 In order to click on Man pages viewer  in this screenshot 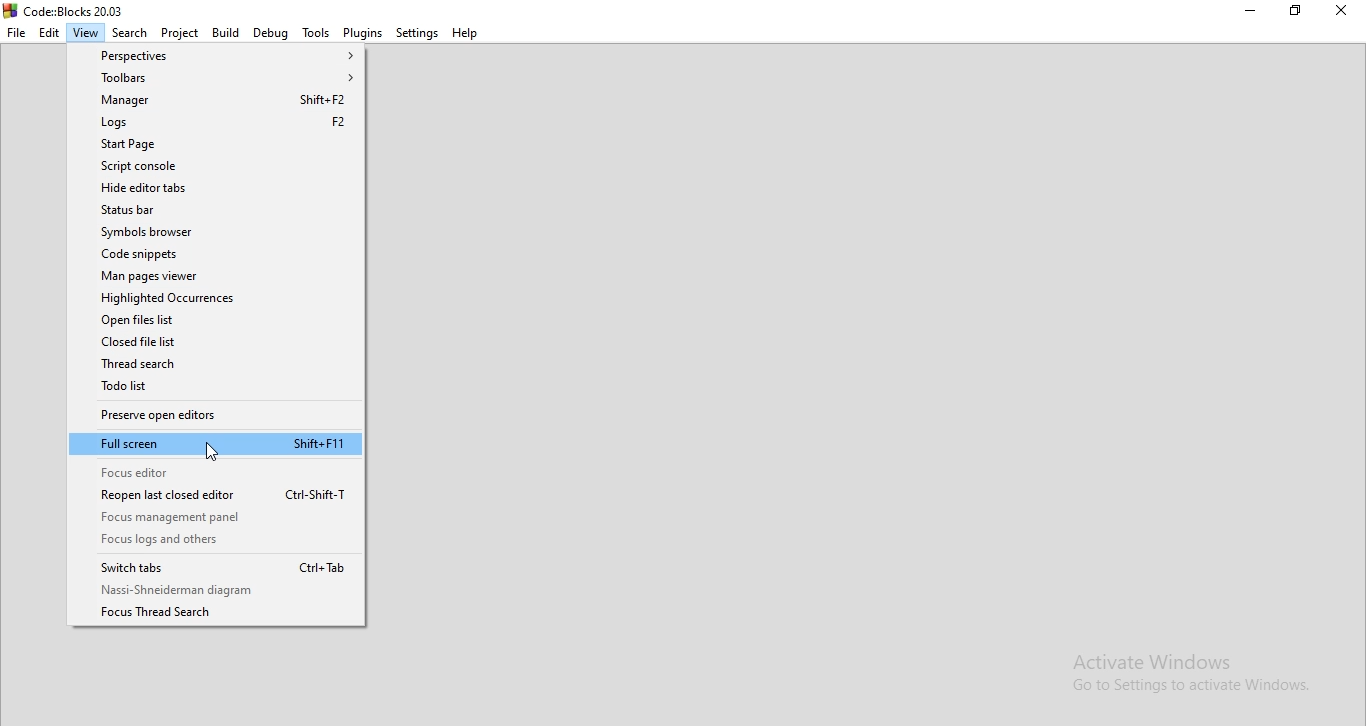, I will do `click(213, 276)`.